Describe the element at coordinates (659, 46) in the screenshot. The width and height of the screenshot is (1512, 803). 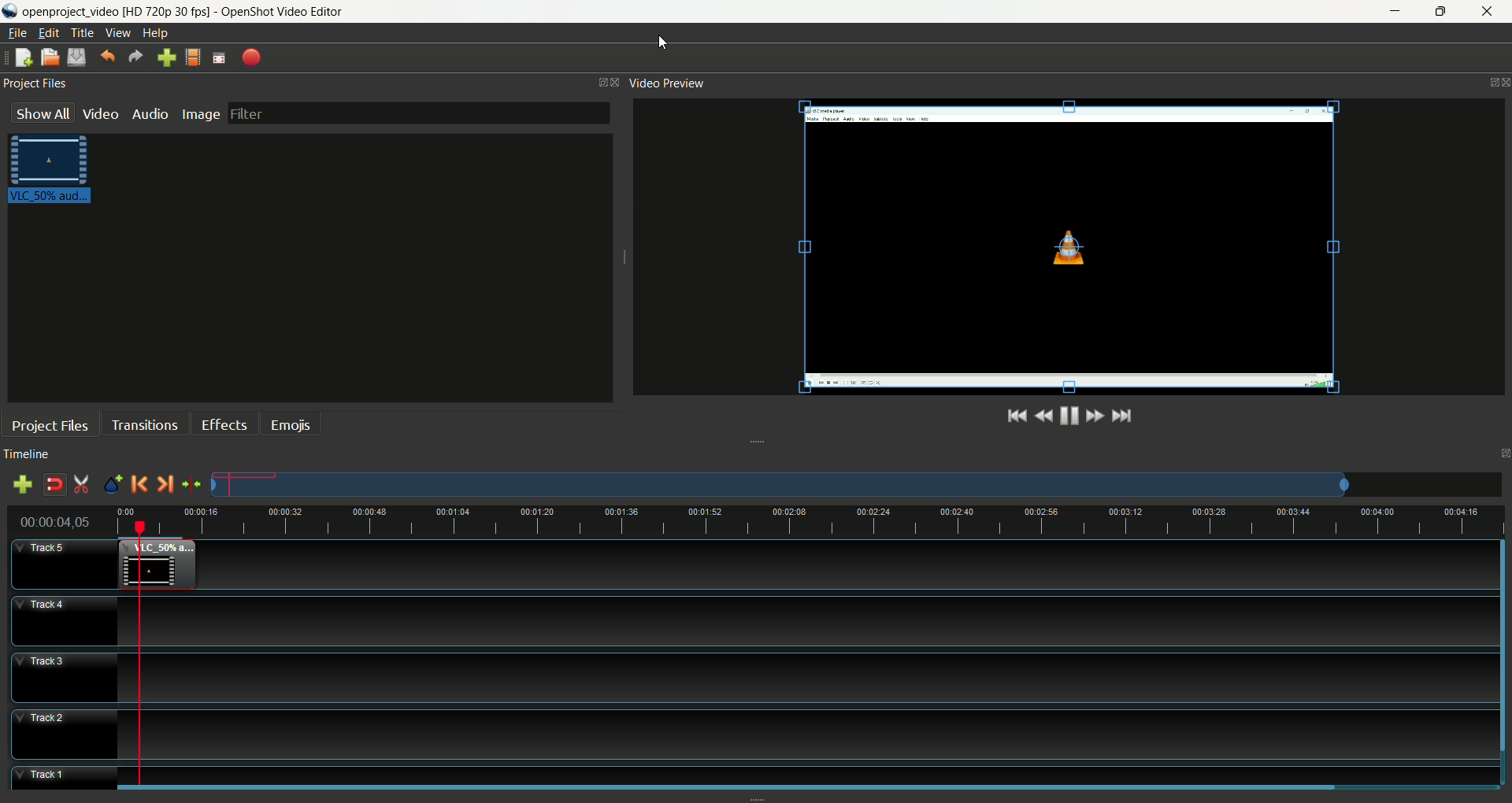
I see `cursor` at that location.